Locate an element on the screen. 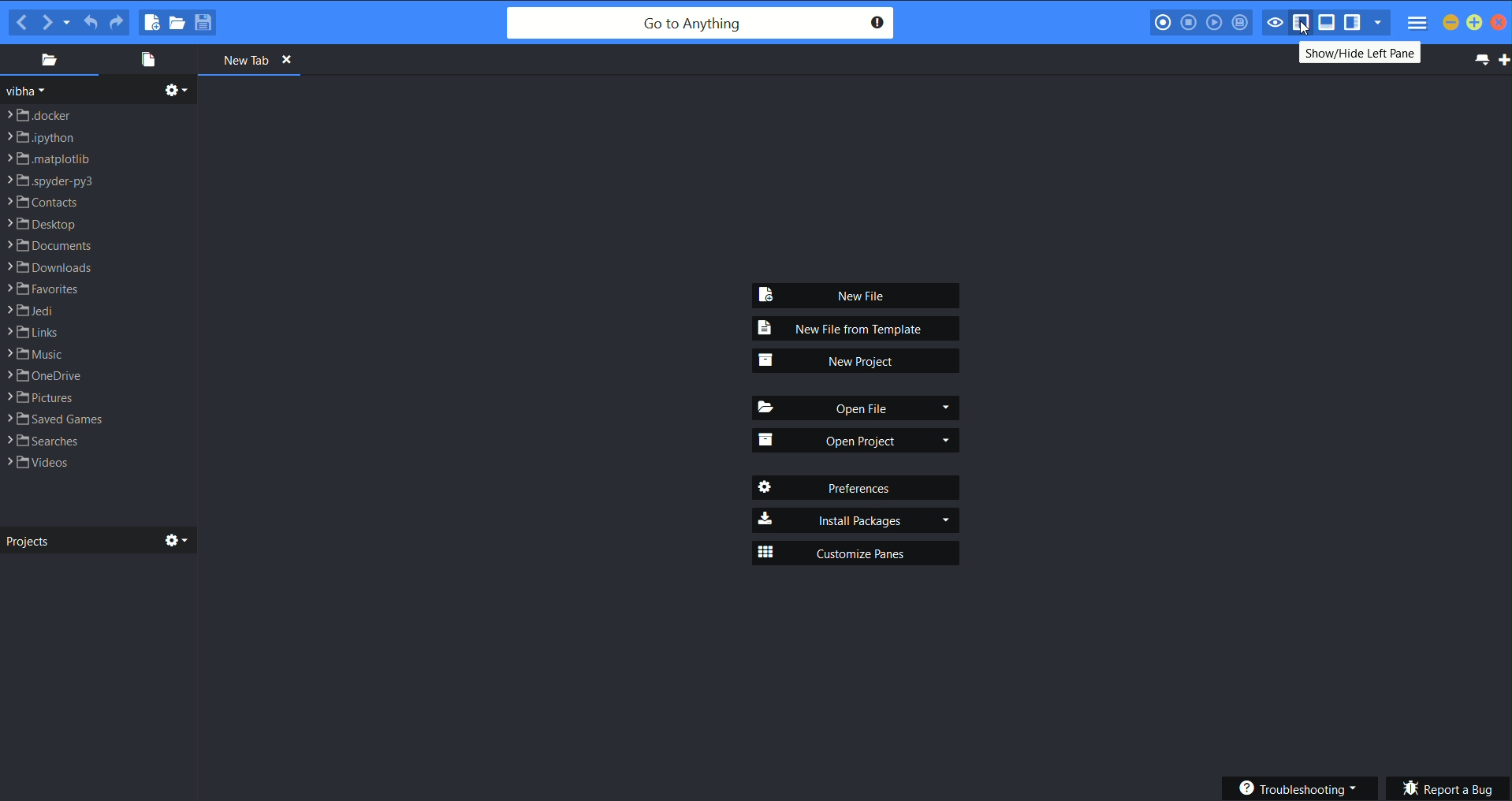  desktop is located at coordinates (43, 223).